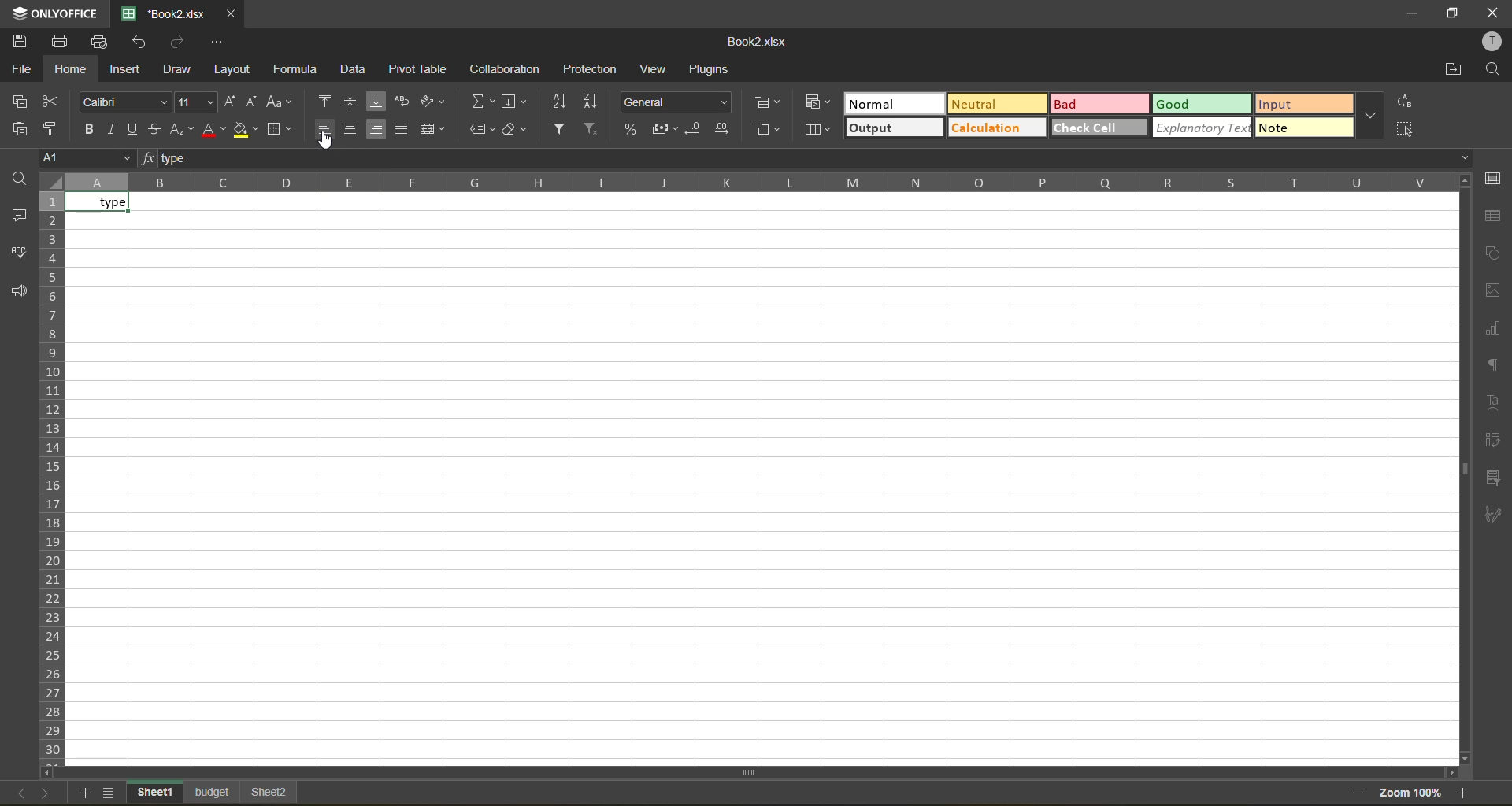 The width and height of the screenshot is (1512, 806). I want to click on text, so click(1495, 401).